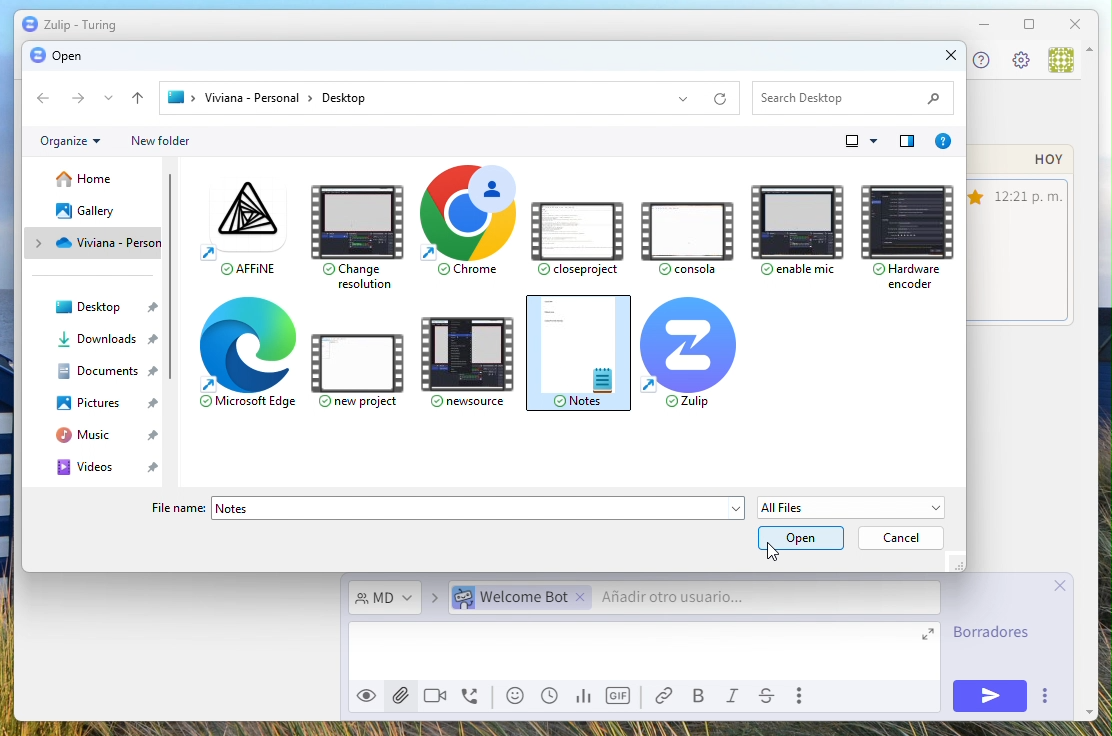  What do you see at coordinates (902, 539) in the screenshot?
I see `Cancel` at bounding box center [902, 539].